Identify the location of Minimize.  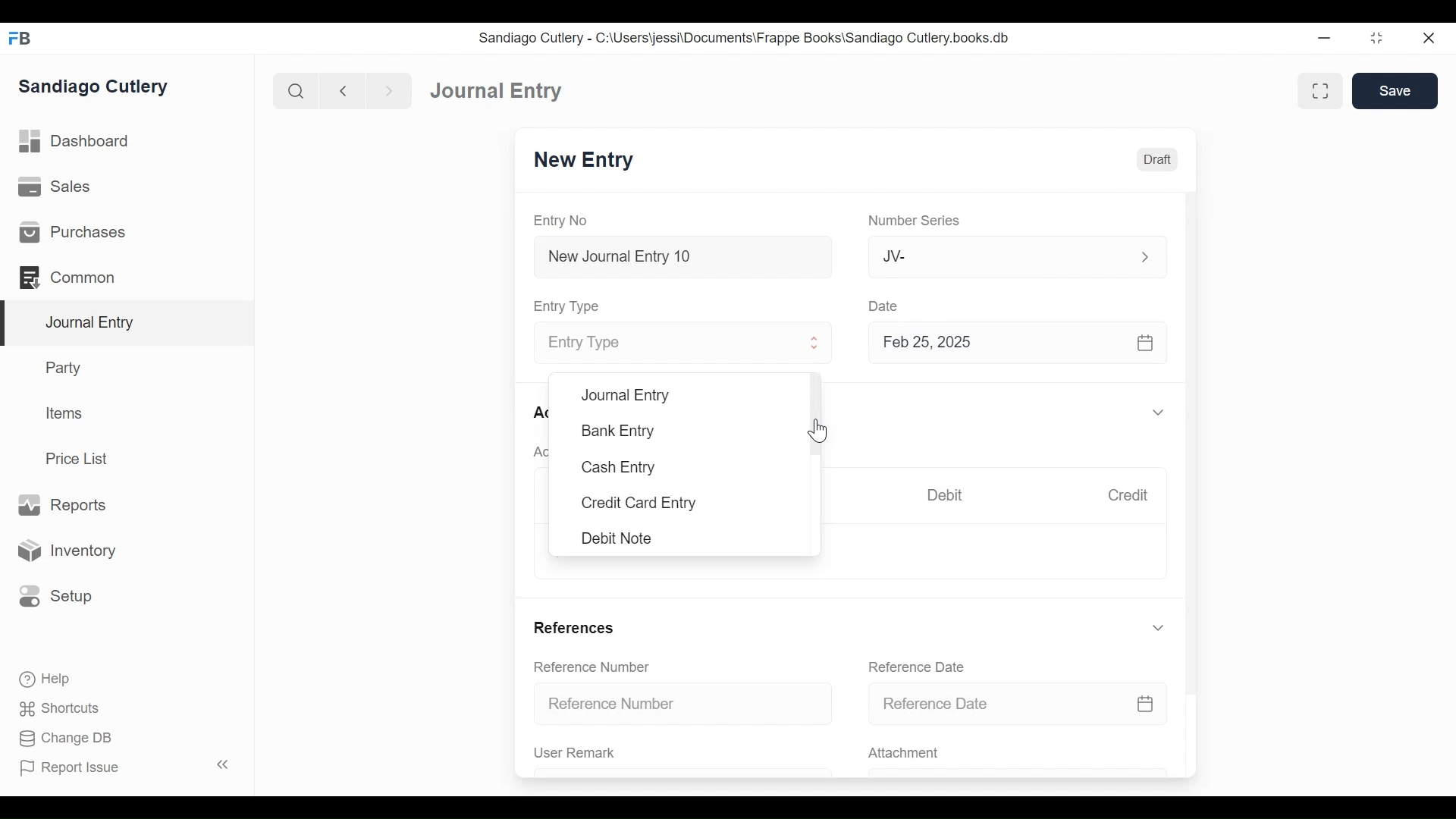
(1326, 39).